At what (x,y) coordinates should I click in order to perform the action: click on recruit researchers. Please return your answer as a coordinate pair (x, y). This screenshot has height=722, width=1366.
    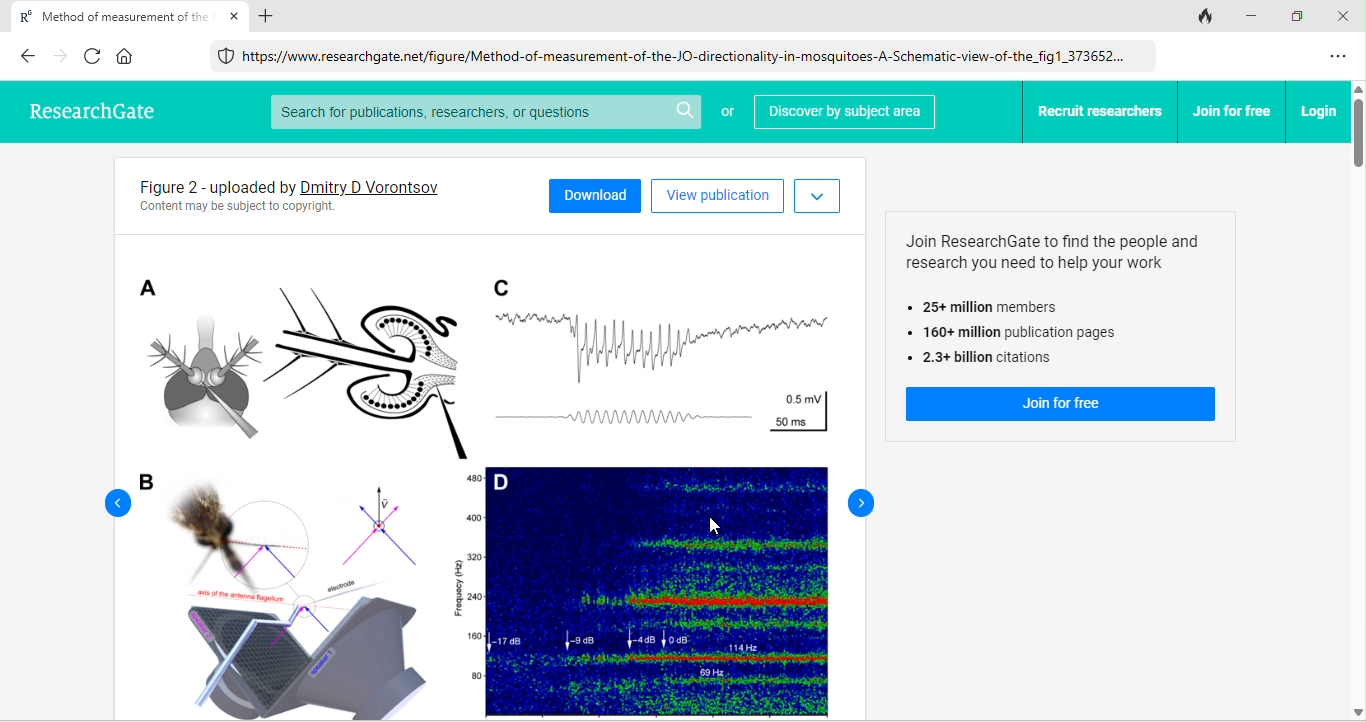
    Looking at the image, I should click on (1101, 112).